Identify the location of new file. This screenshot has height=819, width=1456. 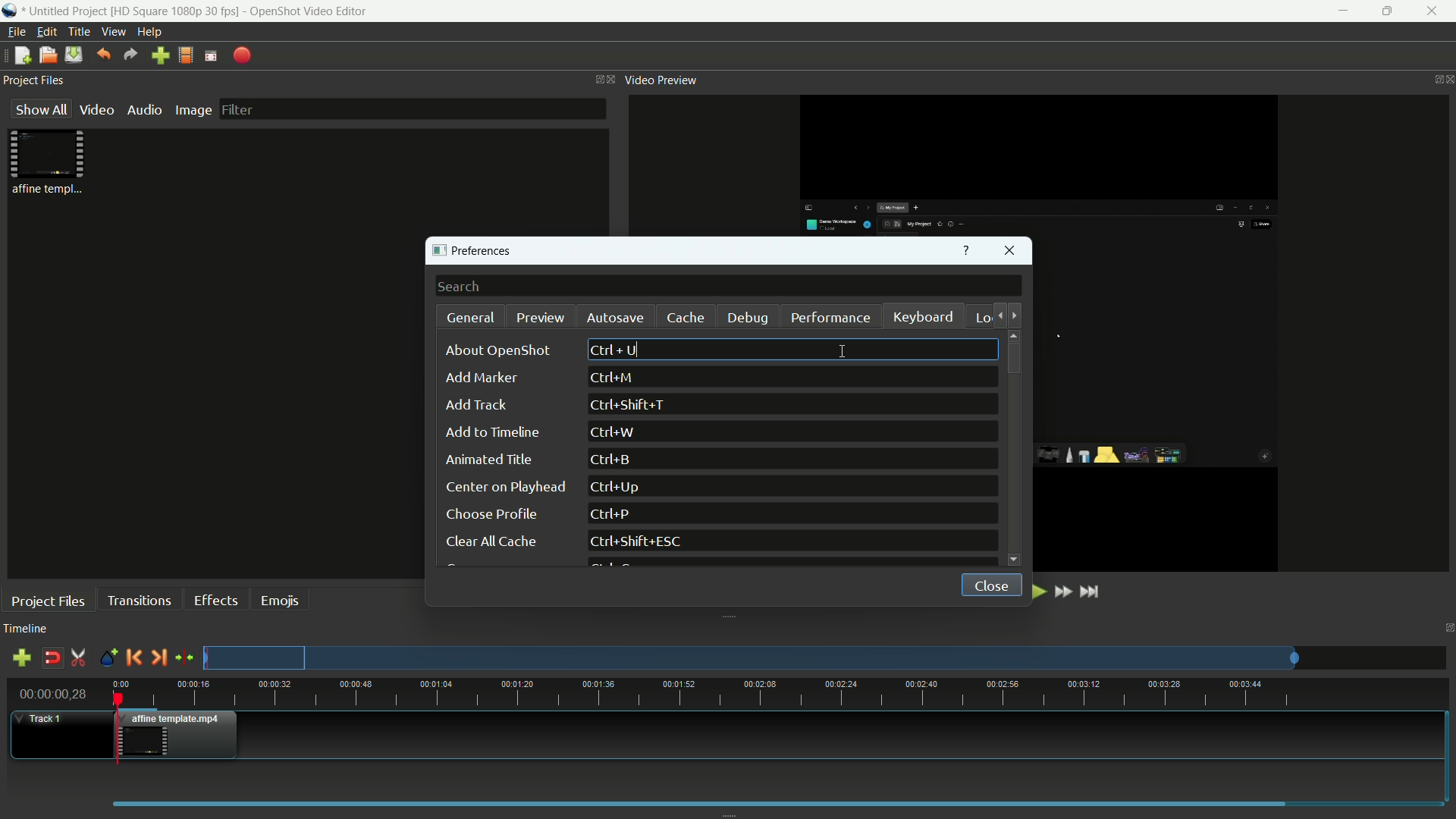
(20, 56).